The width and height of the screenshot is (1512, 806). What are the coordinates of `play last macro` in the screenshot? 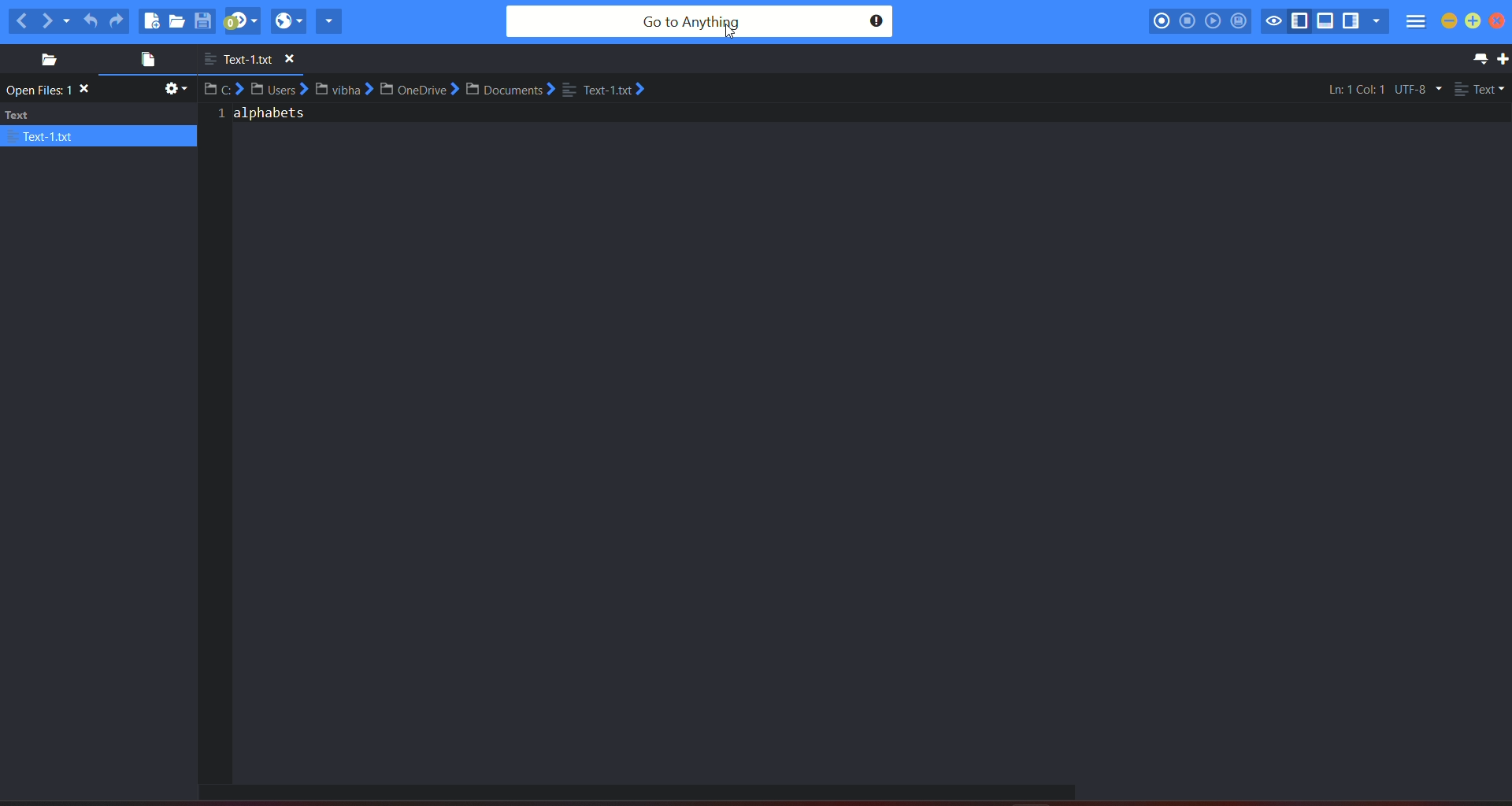 It's located at (1214, 21).